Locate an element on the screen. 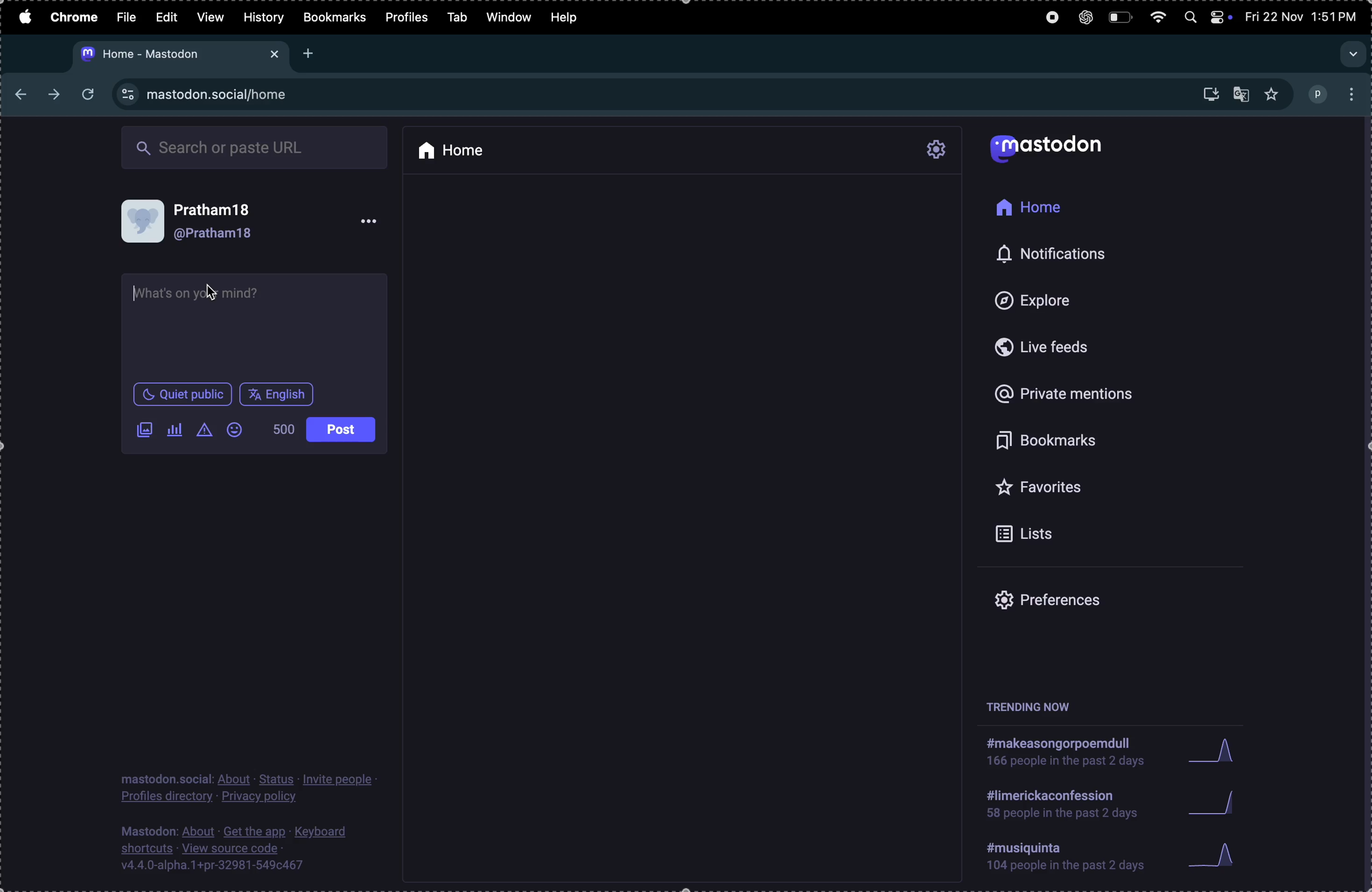 The width and height of the screenshot is (1372, 892). home is located at coordinates (1047, 210).